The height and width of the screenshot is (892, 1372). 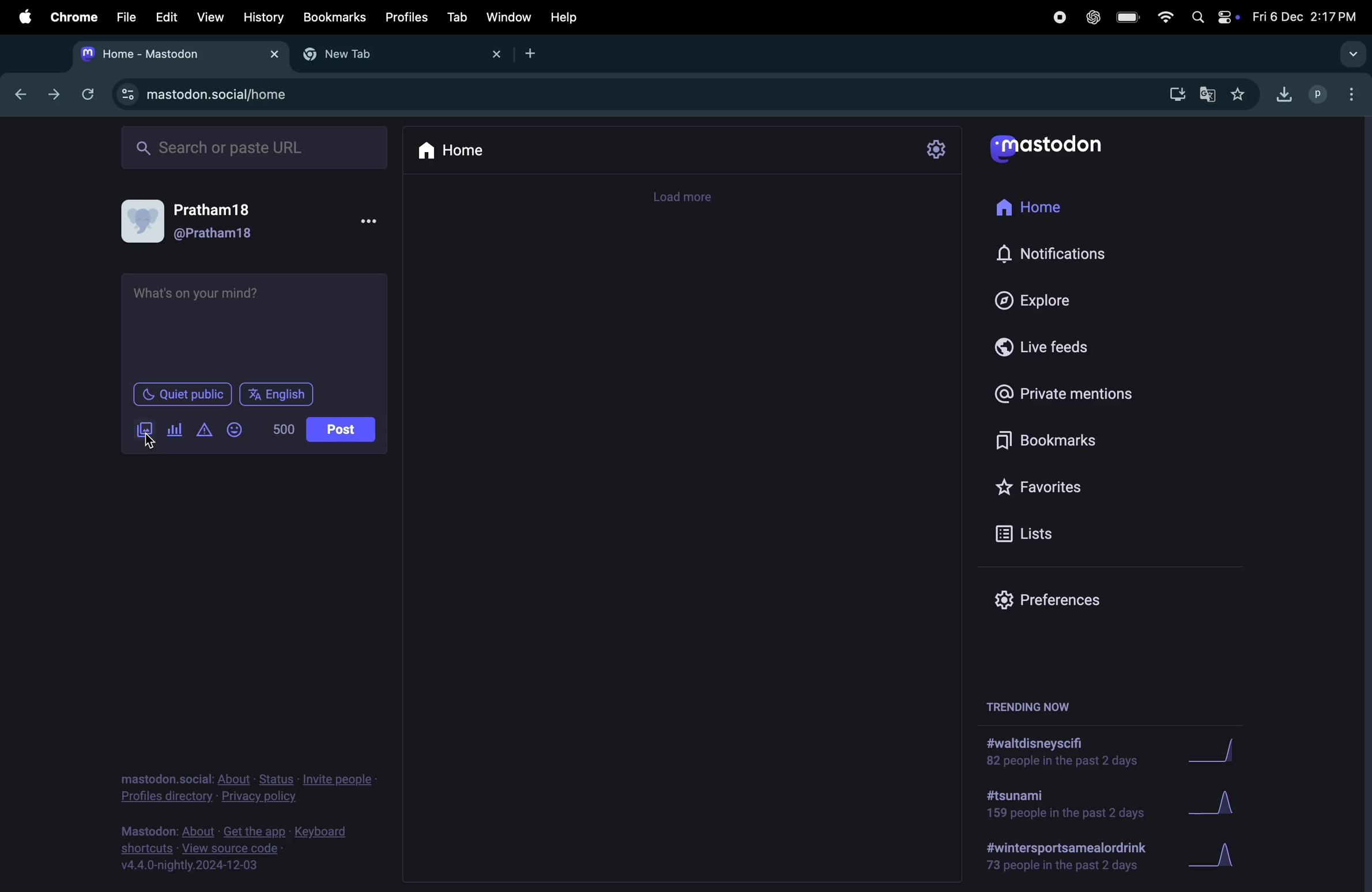 I want to click on Graph, so click(x=1228, y=749).